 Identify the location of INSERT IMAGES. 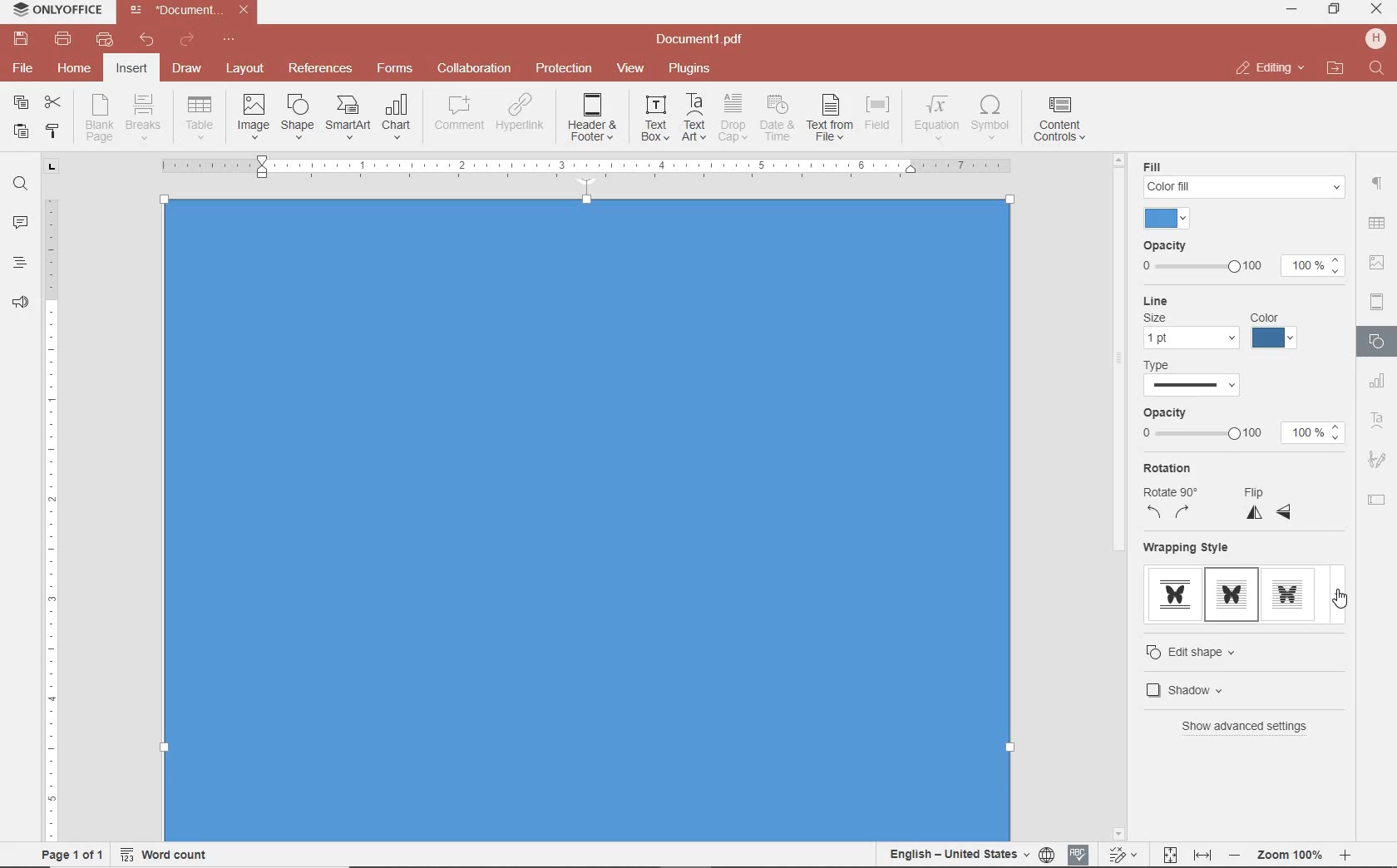
(254, 116).